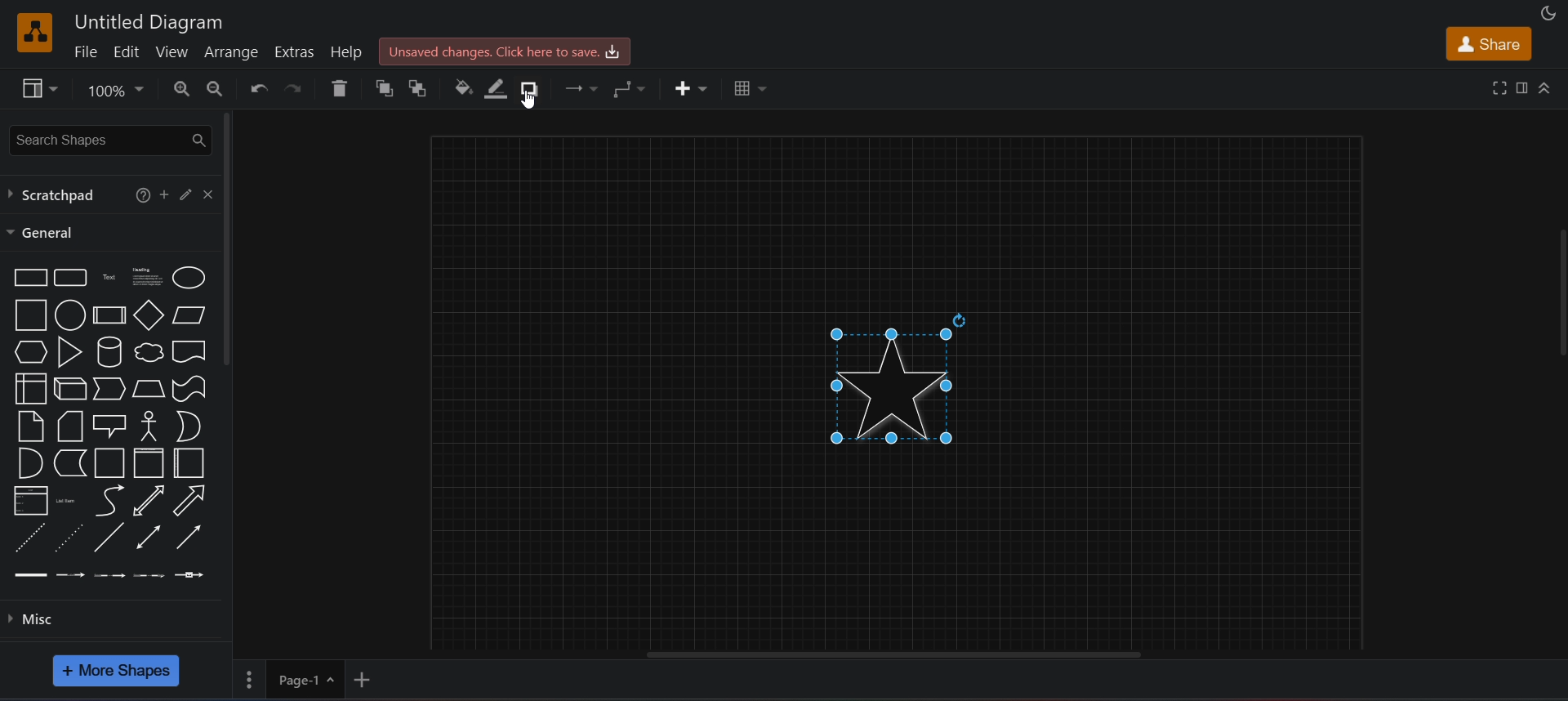  What do you see at coordinates (149, 463) in the screenshot?
I see `vertical container` at bounding box center [149, 463].